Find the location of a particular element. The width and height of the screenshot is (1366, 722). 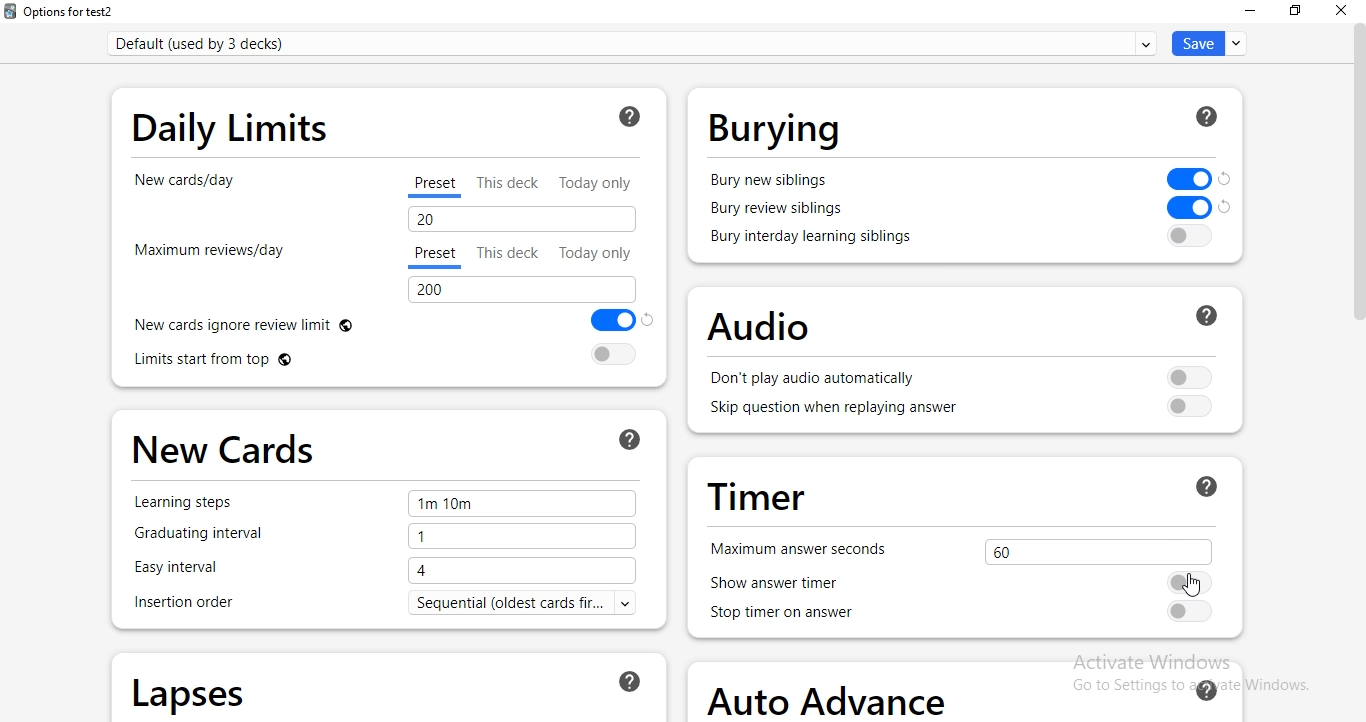

options for test2 is located at coordinates (61, 12).